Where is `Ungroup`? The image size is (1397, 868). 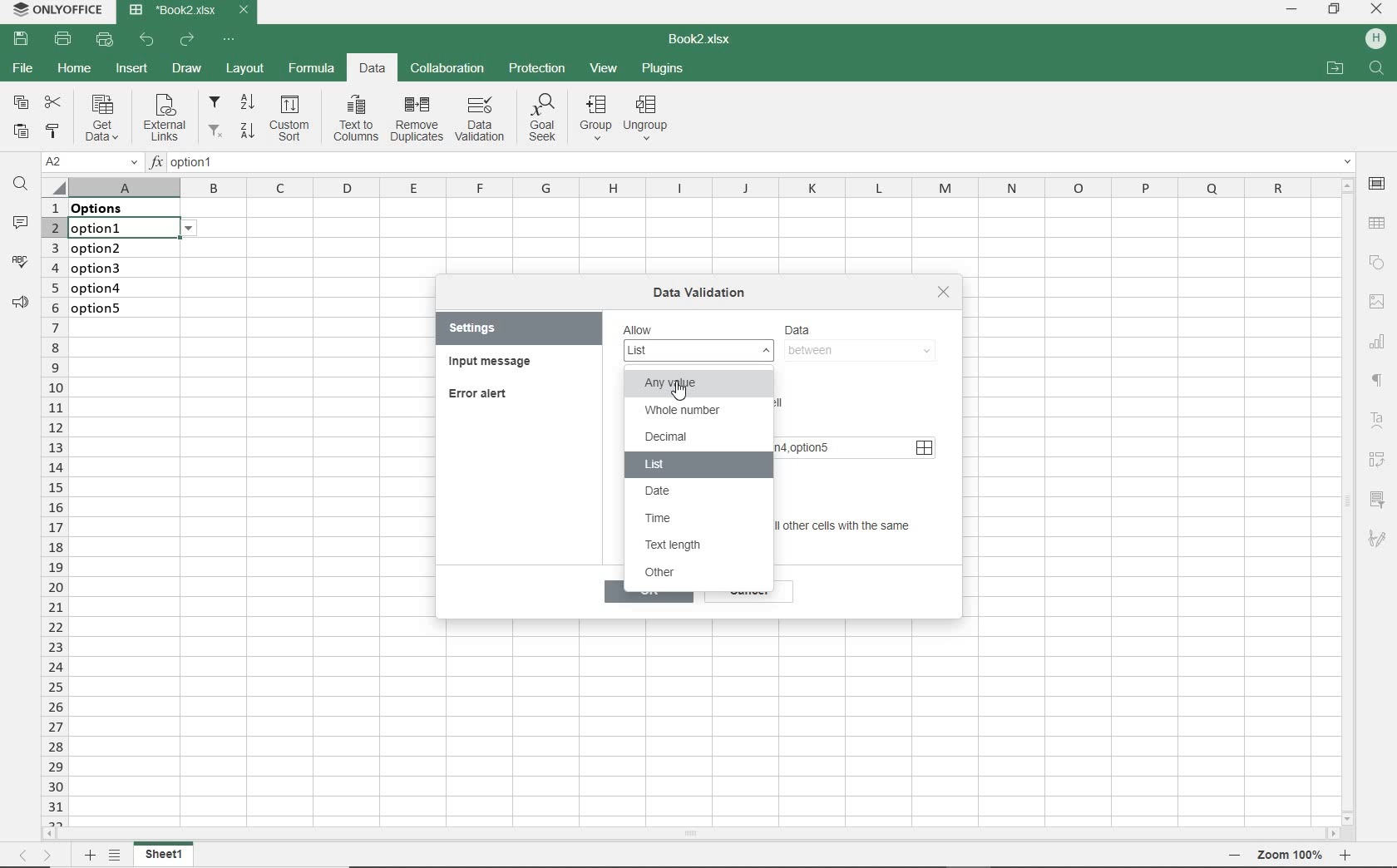
Ungroup is located at coordinates (649, 118).